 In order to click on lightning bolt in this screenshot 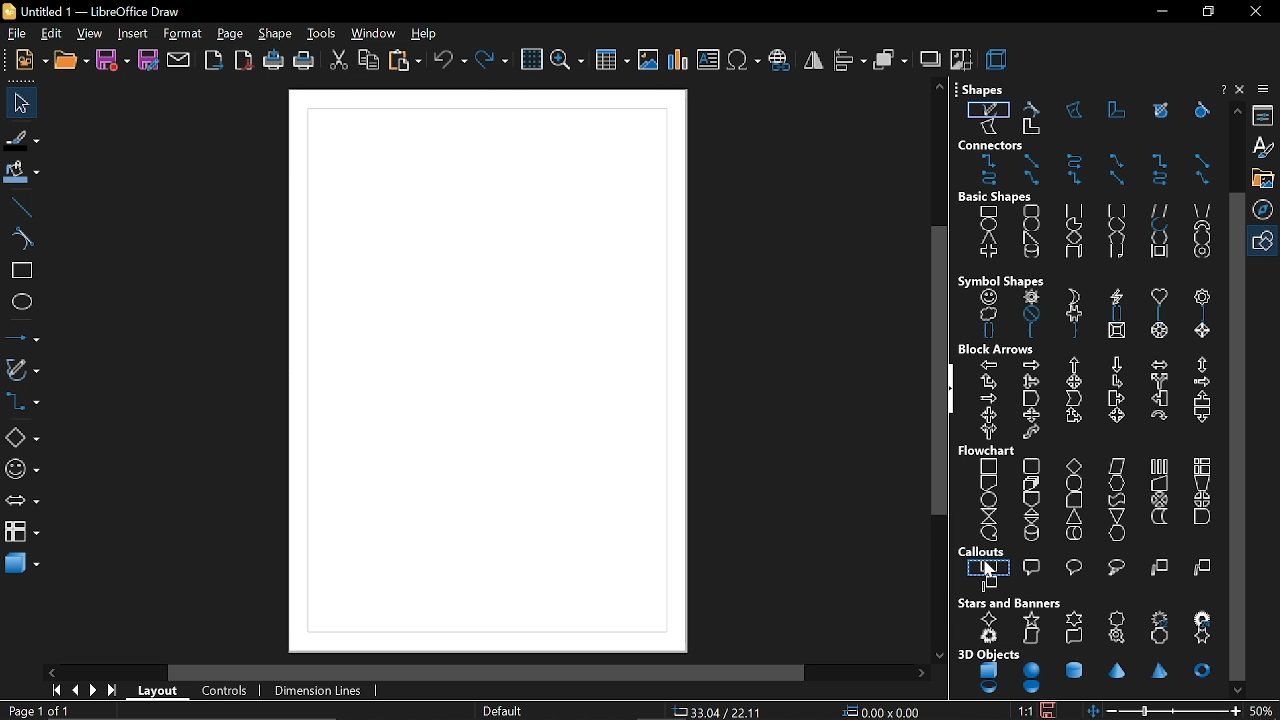, I will do `click(1113, 298)`.